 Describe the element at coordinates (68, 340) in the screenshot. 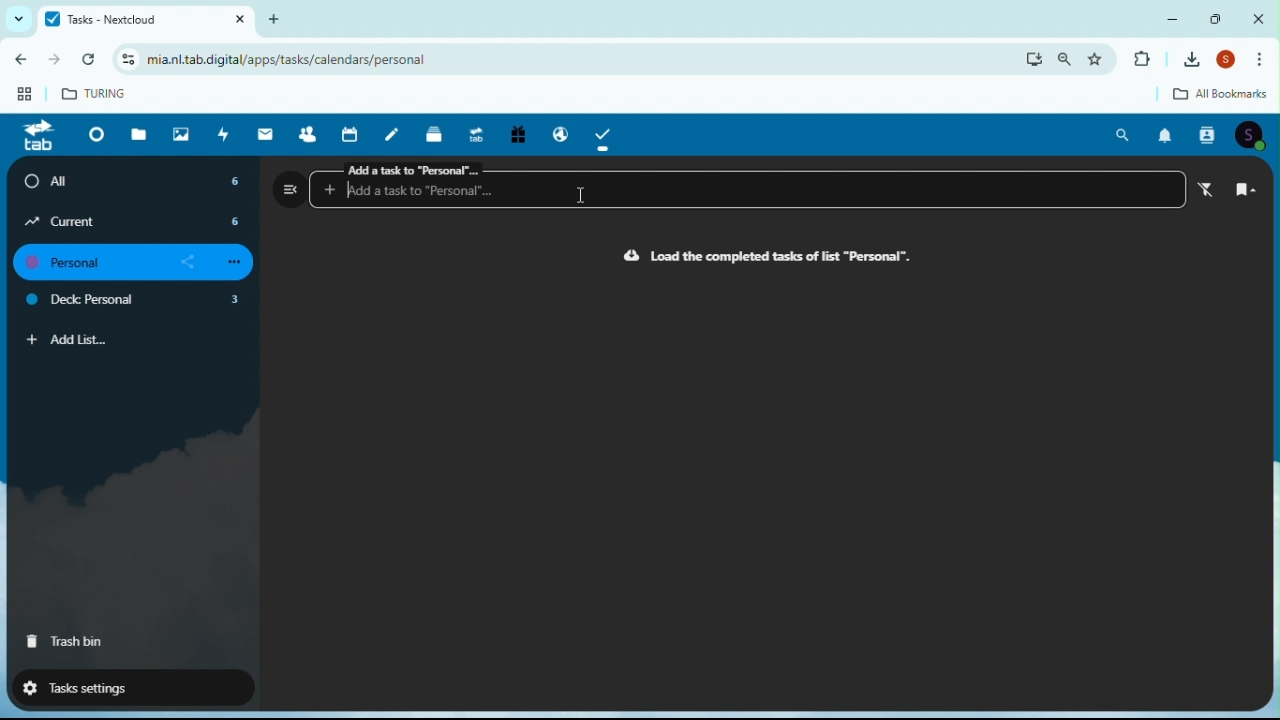

I see `Add list` at that location.